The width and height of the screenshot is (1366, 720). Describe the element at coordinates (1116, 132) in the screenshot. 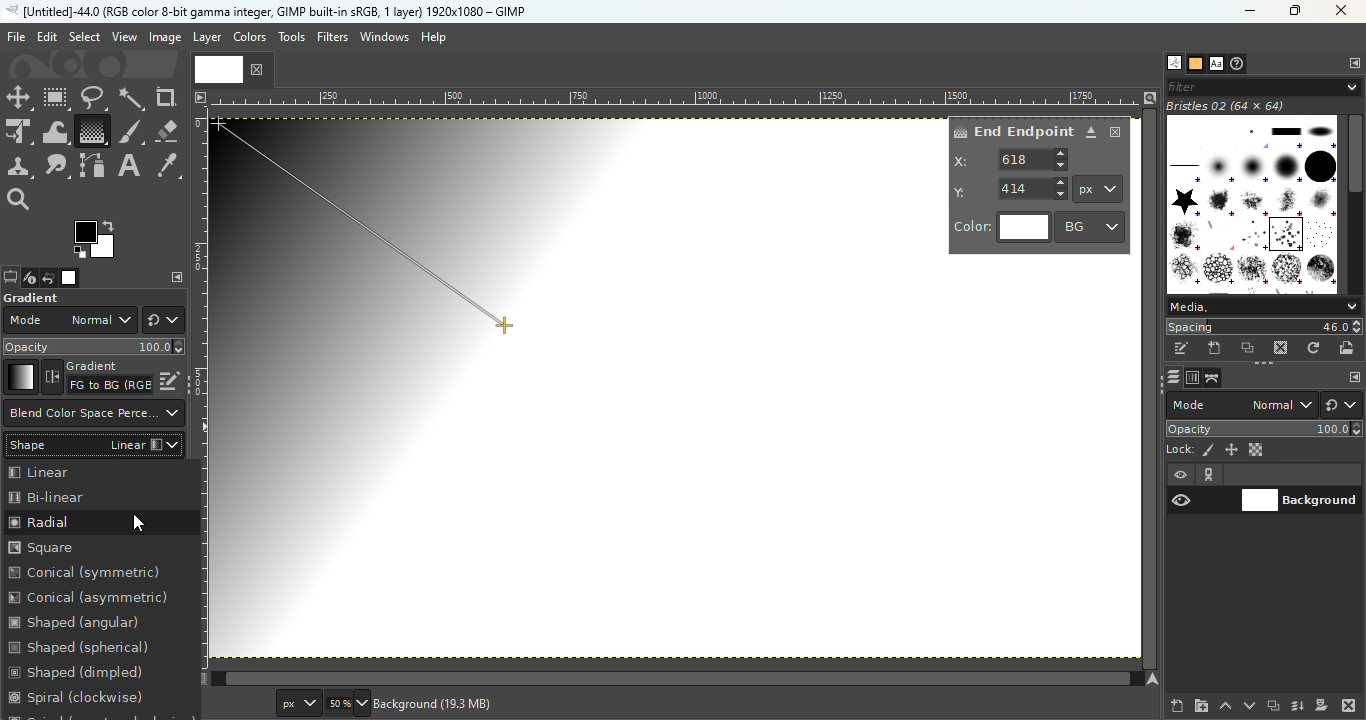

I see `Close` at that location.